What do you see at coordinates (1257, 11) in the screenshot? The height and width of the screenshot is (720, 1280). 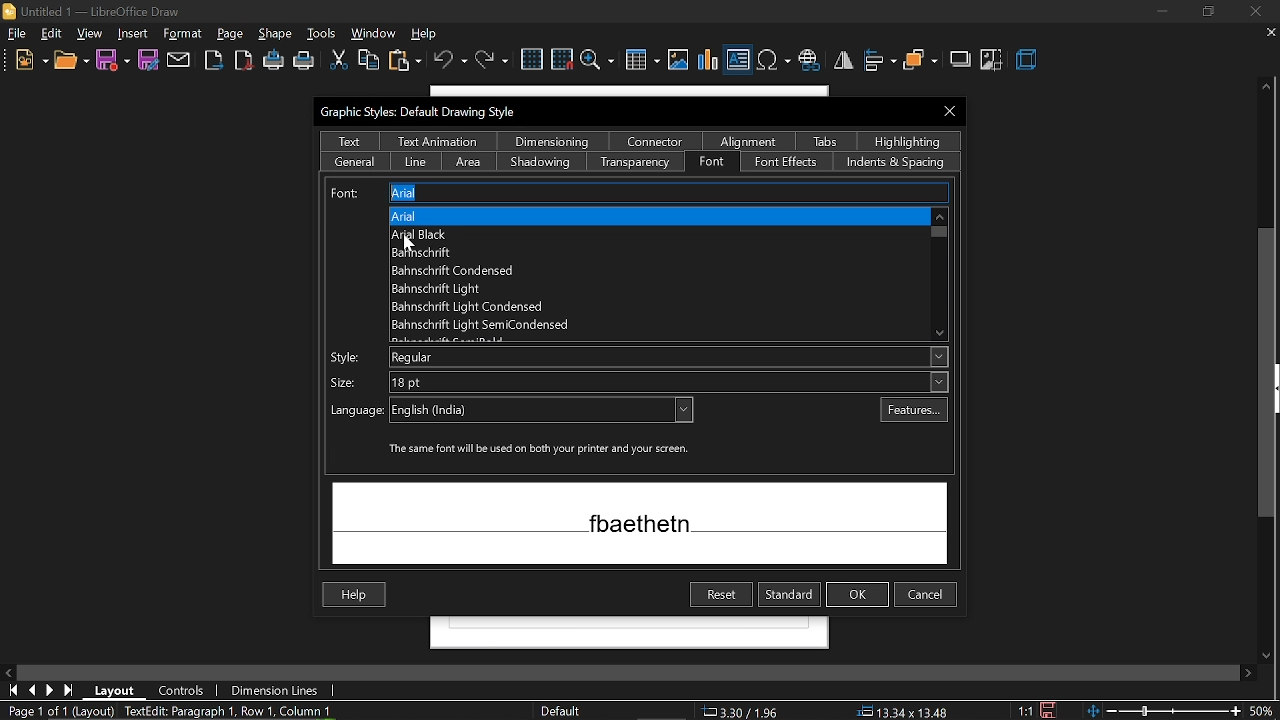 I see `close` at bounding box center [1257, 11].